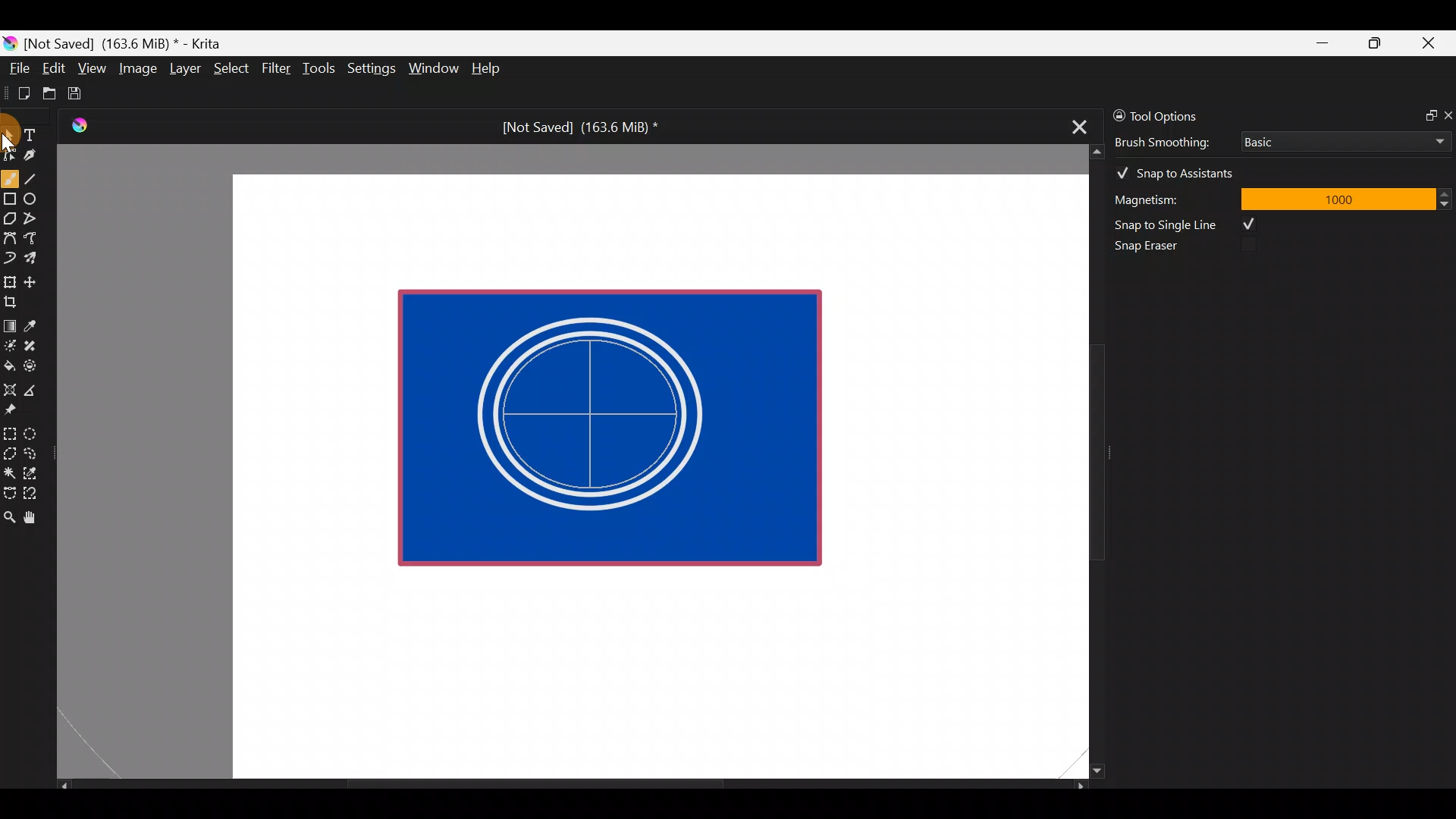 Image resolution: width=1456 pixels, height=819 pixels. What do you see at coordinates (53, 71) in the screenshot?
I see `Edit` at bounding box center [53, 71].